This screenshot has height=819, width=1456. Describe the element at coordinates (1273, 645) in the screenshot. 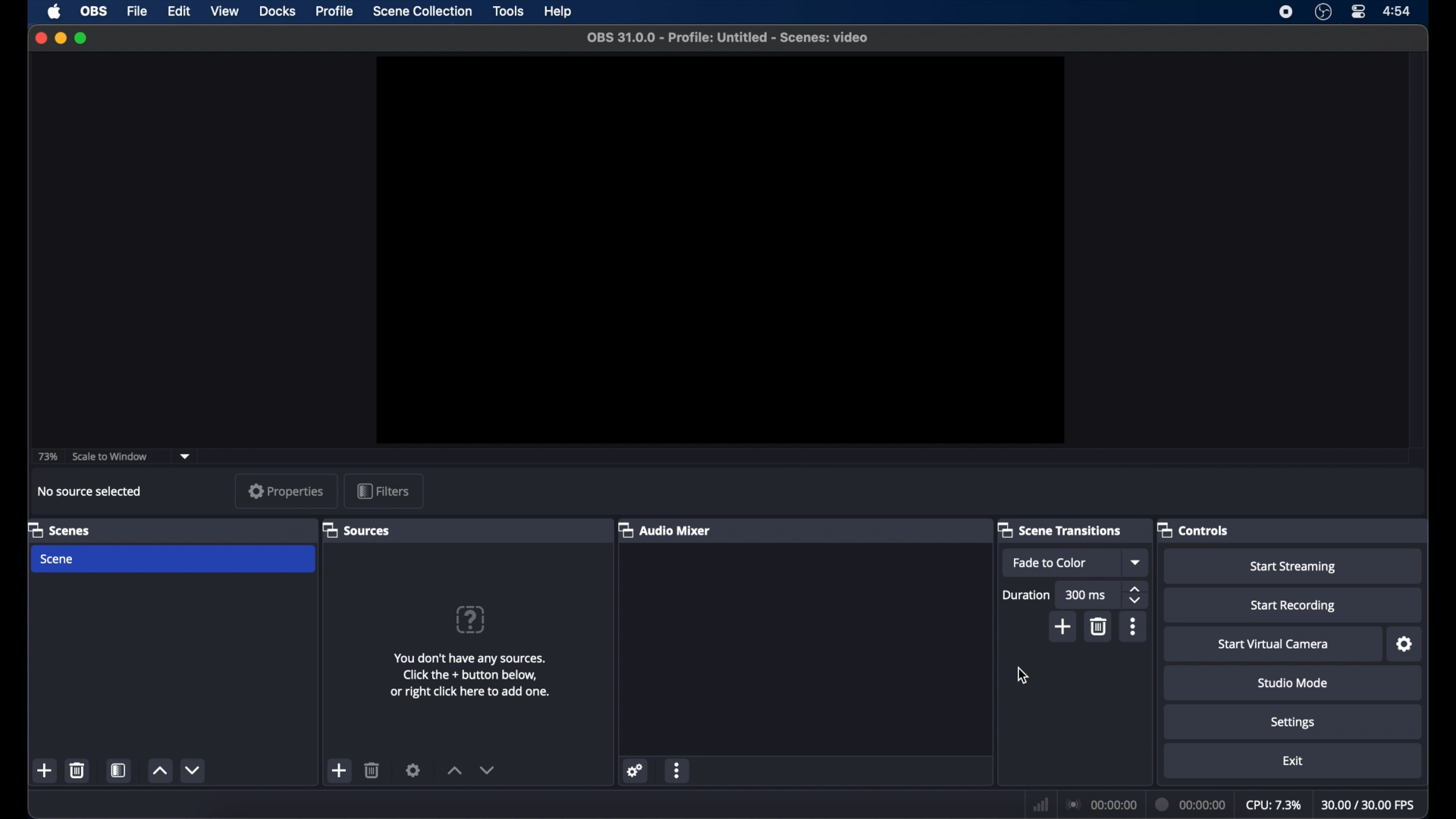

I see `startvirtual camera` at that location.